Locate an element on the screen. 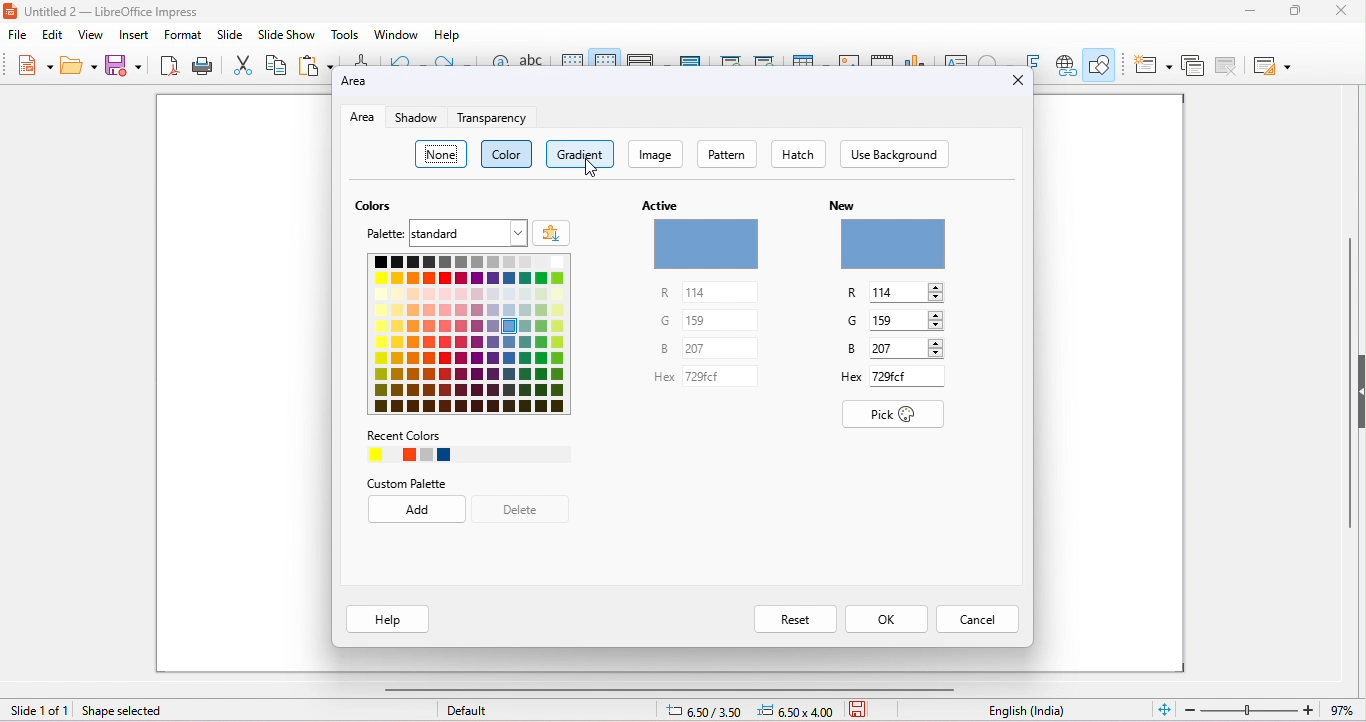 The width and height of the screenshot is (1366, 722). g is located at coordinates (653, 318).